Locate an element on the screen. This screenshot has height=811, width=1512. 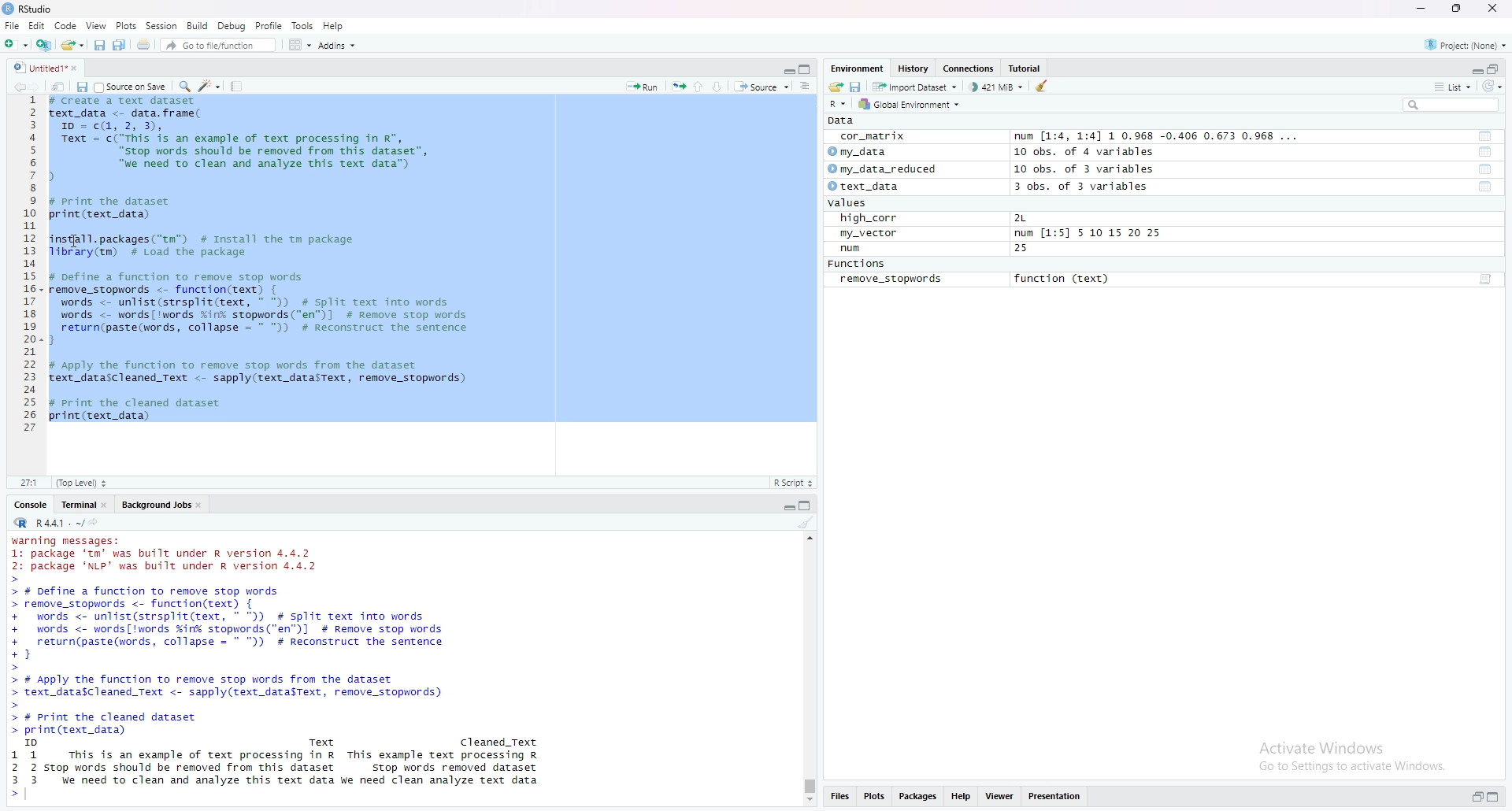
10 obs. of 3 variables is located at coordinates (1088, 168).